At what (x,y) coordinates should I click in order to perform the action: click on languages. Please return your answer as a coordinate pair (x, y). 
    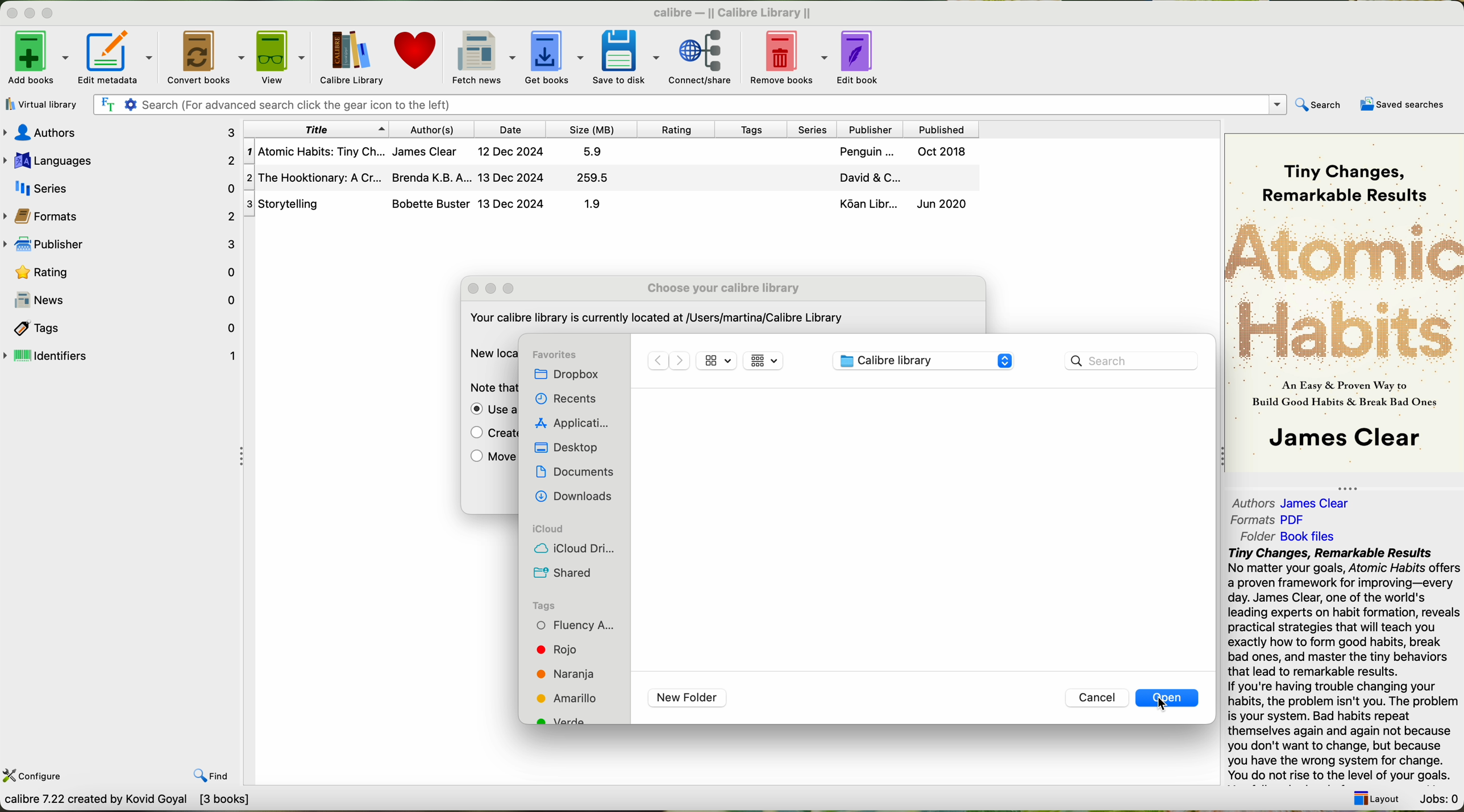
    Looking at the image, I should click on (120, 159).